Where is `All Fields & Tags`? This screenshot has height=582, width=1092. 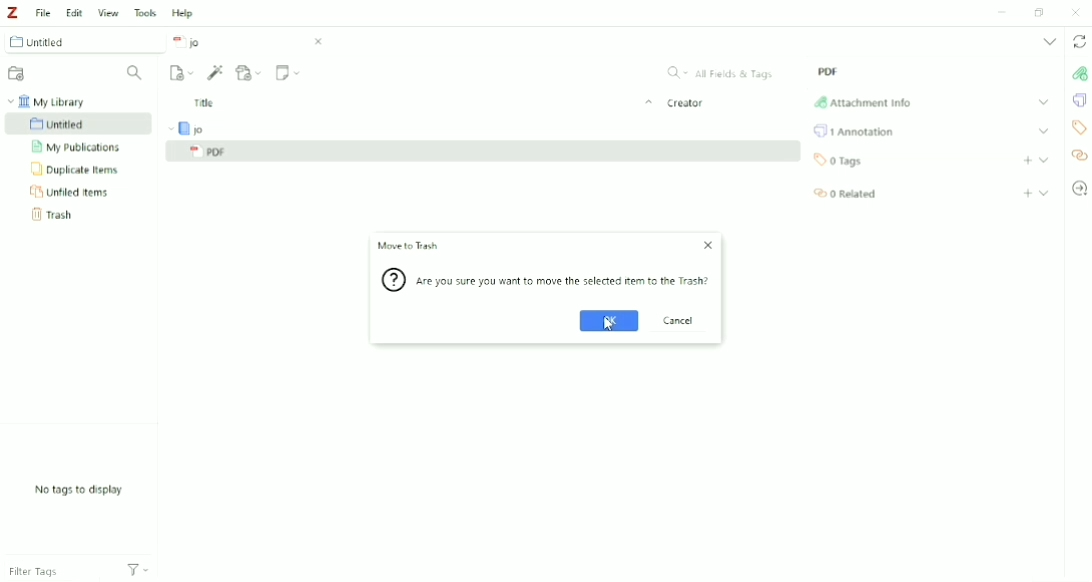
All Fields & Tags is located at coordinates (723, 71).